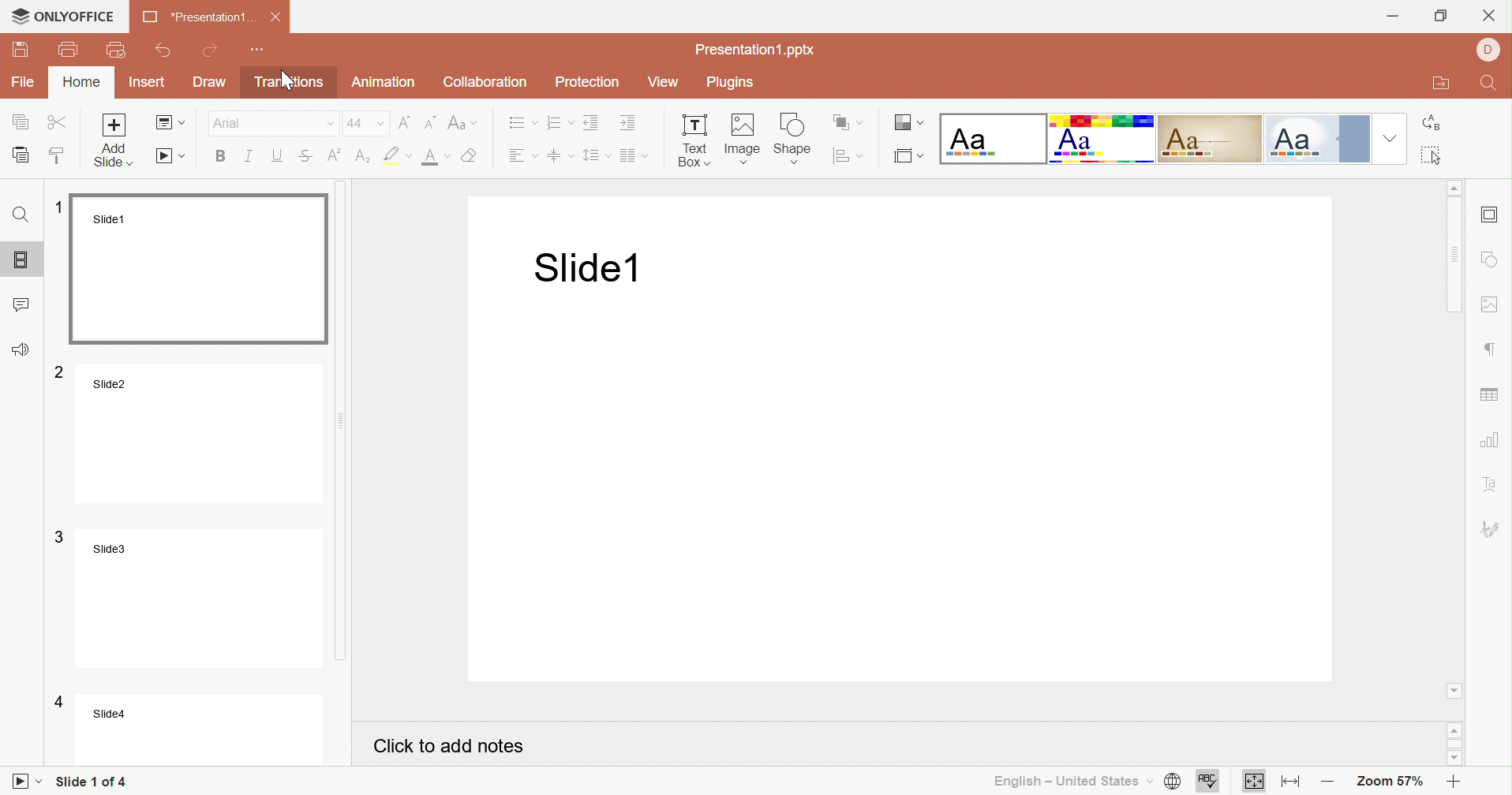 The image size is (1512, 795). Describe the element at coordinates (173, 155) in the screenshot. I see `Start slideshow` at that location.